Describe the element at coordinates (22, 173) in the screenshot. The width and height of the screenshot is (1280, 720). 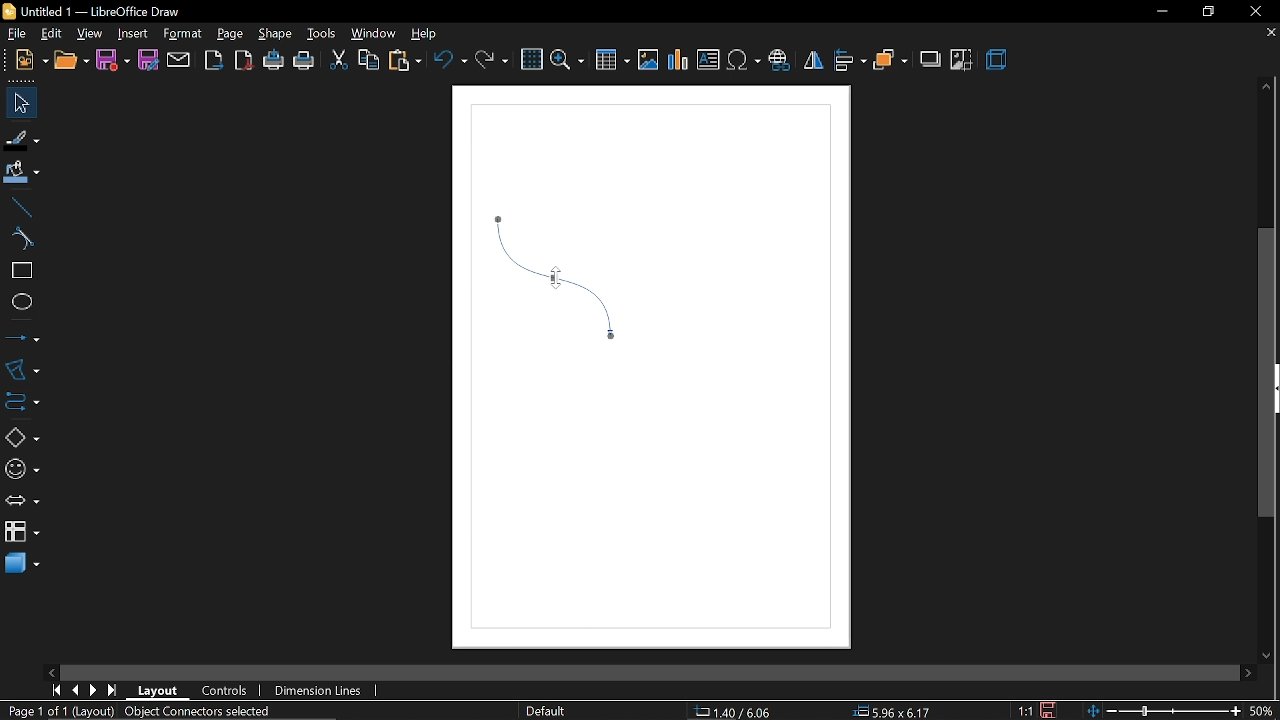
I see `fill color` at that location.